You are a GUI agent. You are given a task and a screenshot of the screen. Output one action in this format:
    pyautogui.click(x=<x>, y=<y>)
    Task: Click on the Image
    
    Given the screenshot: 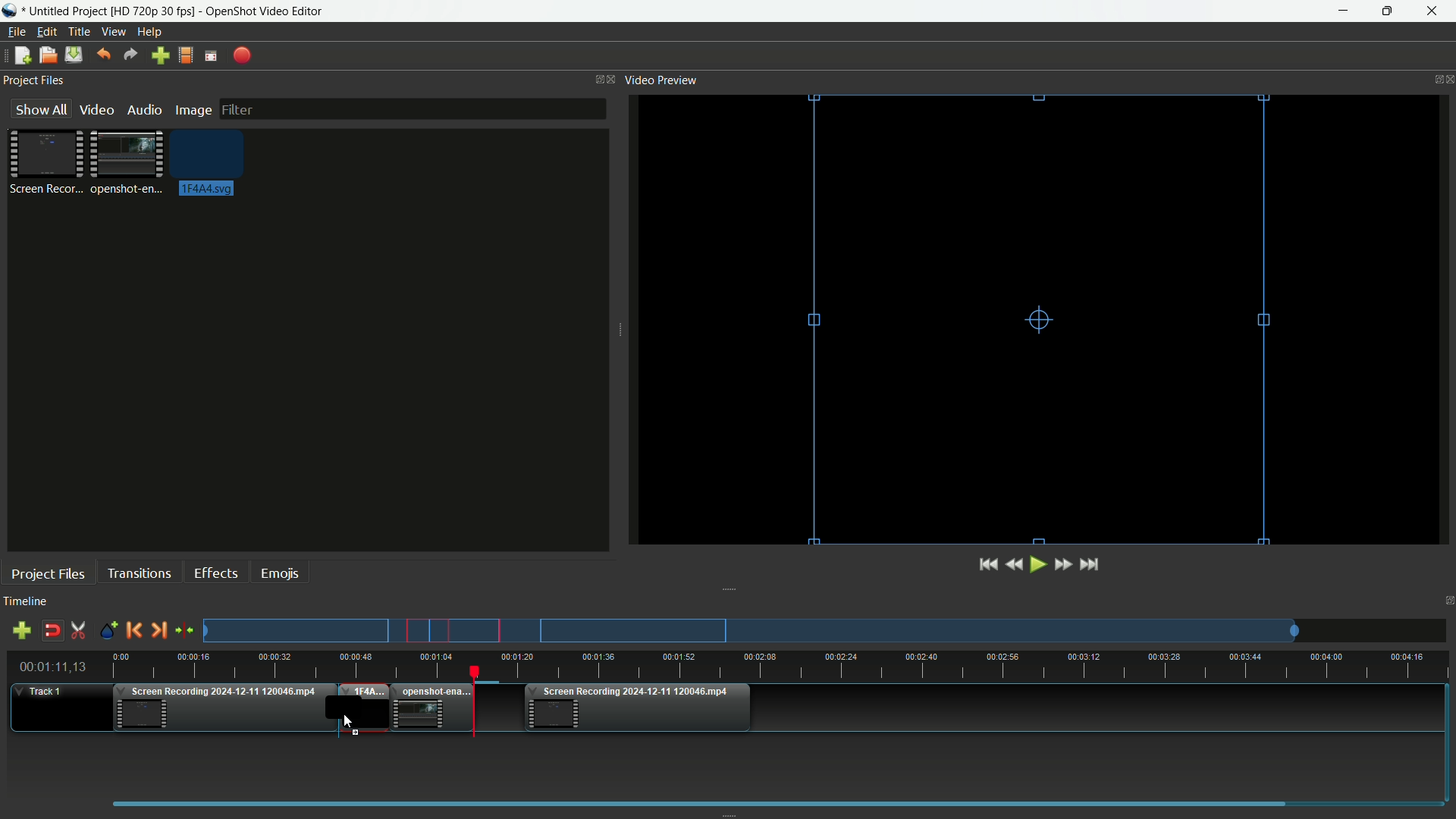 What is the action you would take?
    pyautogui.click(x=193, y=111)
    